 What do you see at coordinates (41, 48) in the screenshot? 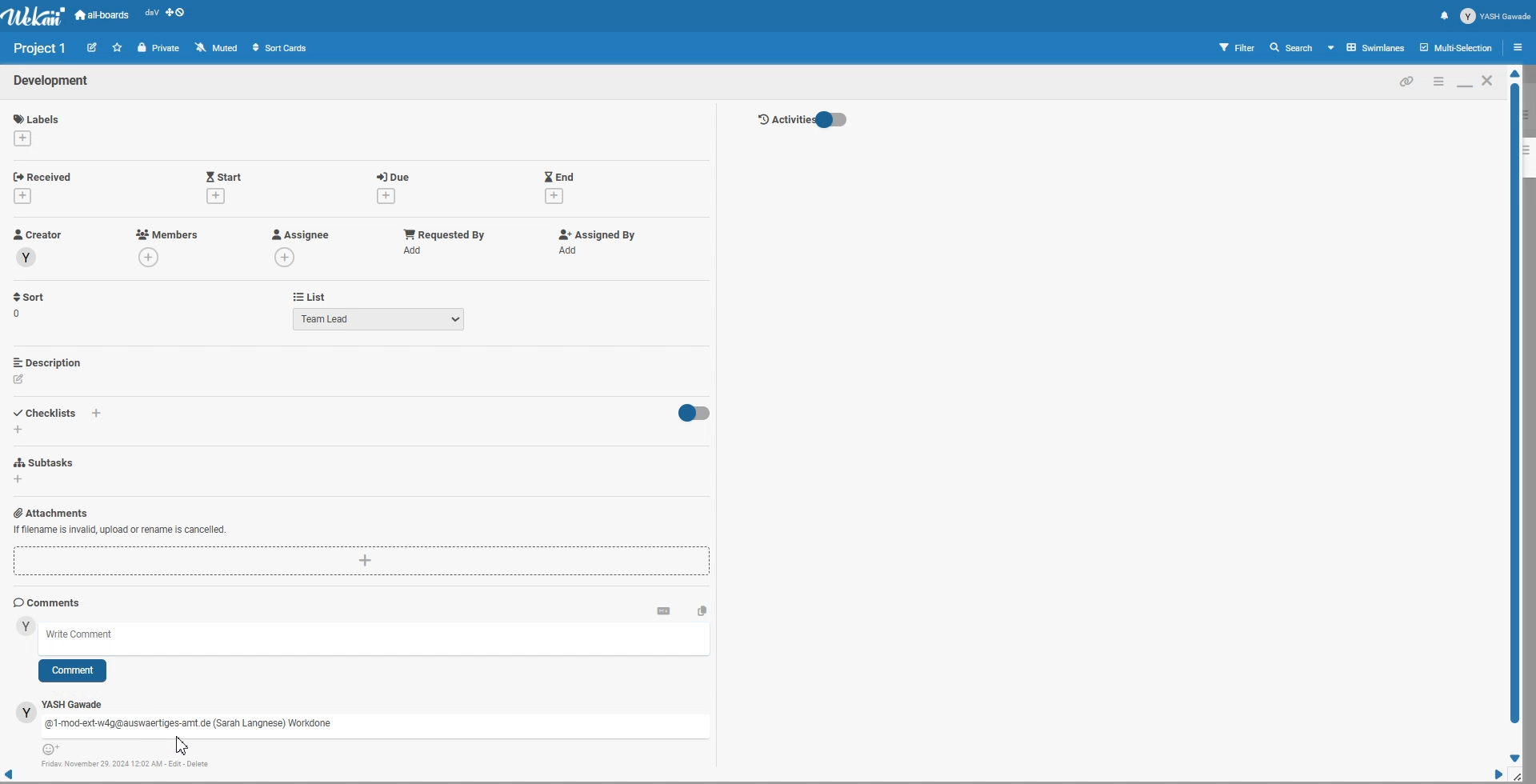
I see `Text` at bounding box center [41, 48].